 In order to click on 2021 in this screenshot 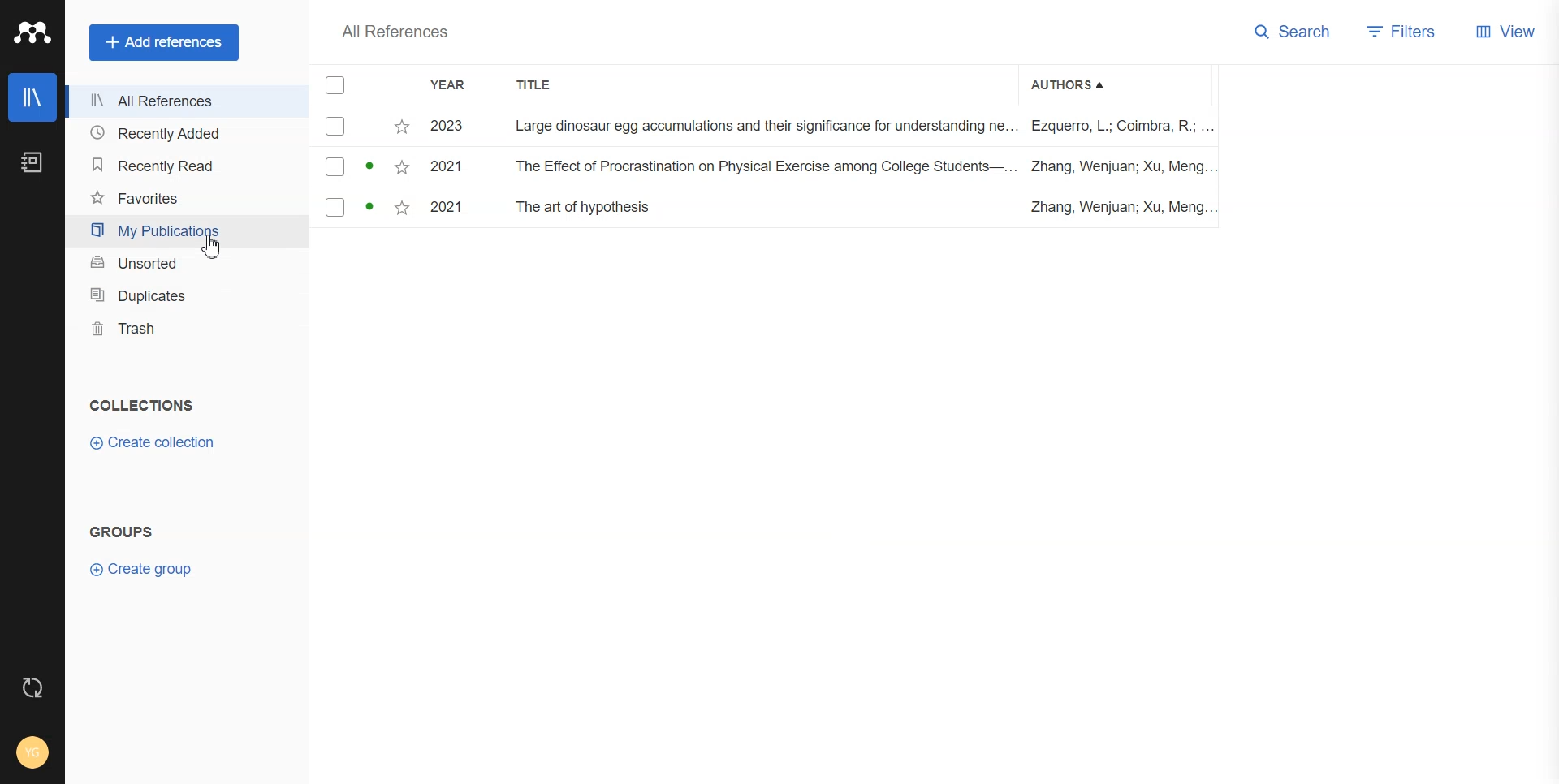, I will do `click(445, 207)`.